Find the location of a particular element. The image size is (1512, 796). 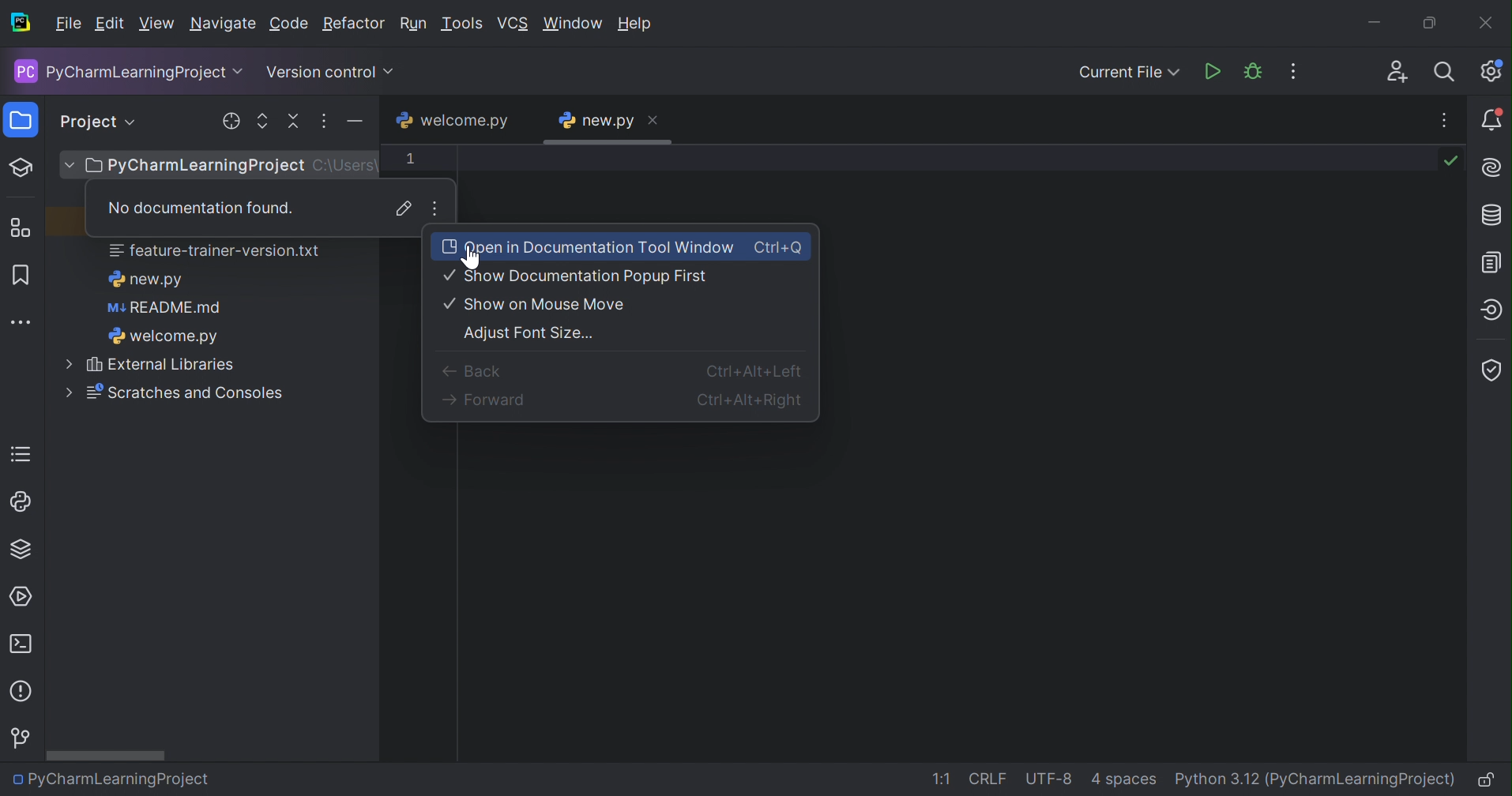

1:1 is located at coordinates (942, 779).